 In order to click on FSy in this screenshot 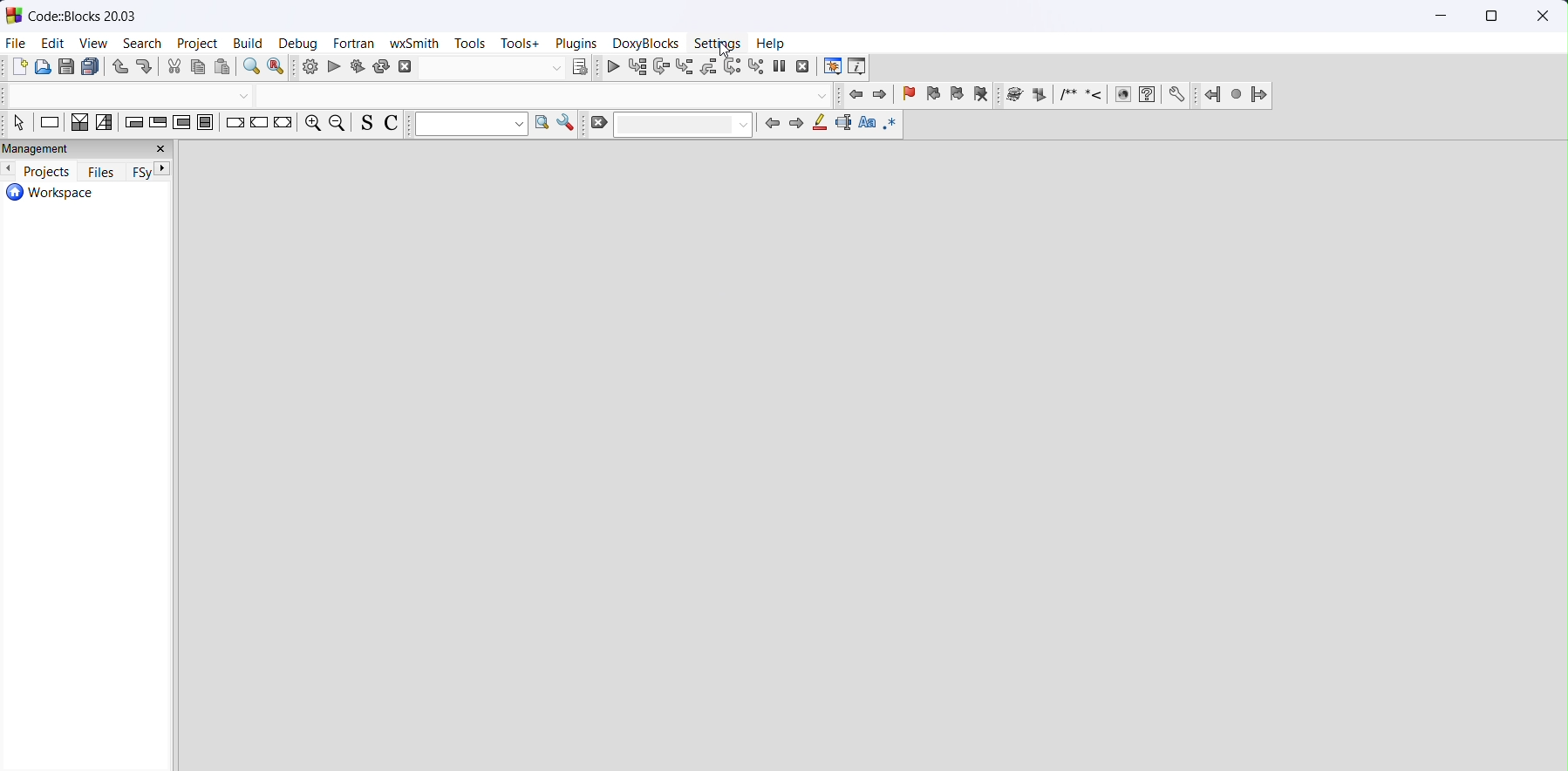, I will do `click(139, 173)`.